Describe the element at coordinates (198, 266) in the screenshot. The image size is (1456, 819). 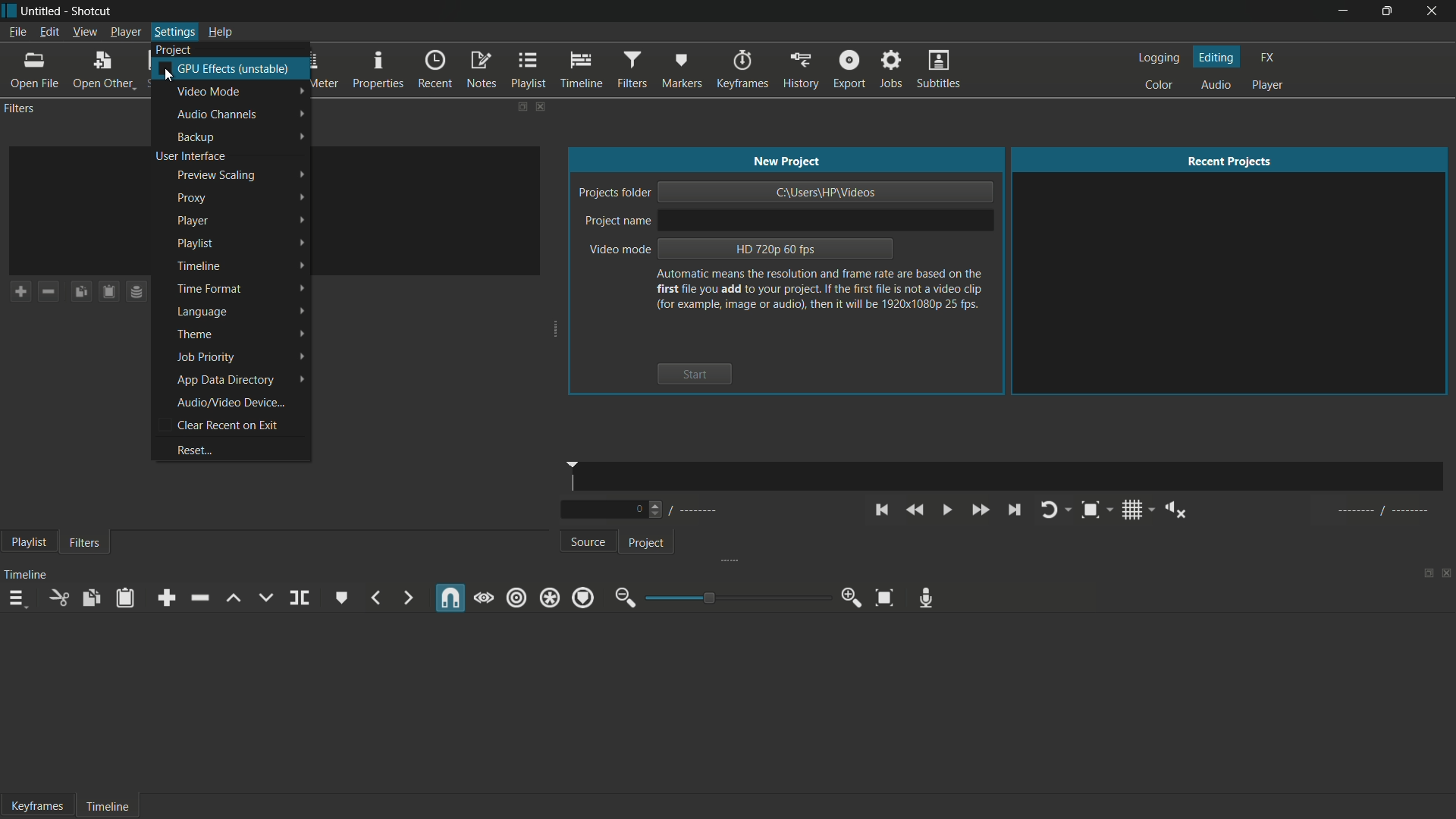
I see `timeline` at that location.